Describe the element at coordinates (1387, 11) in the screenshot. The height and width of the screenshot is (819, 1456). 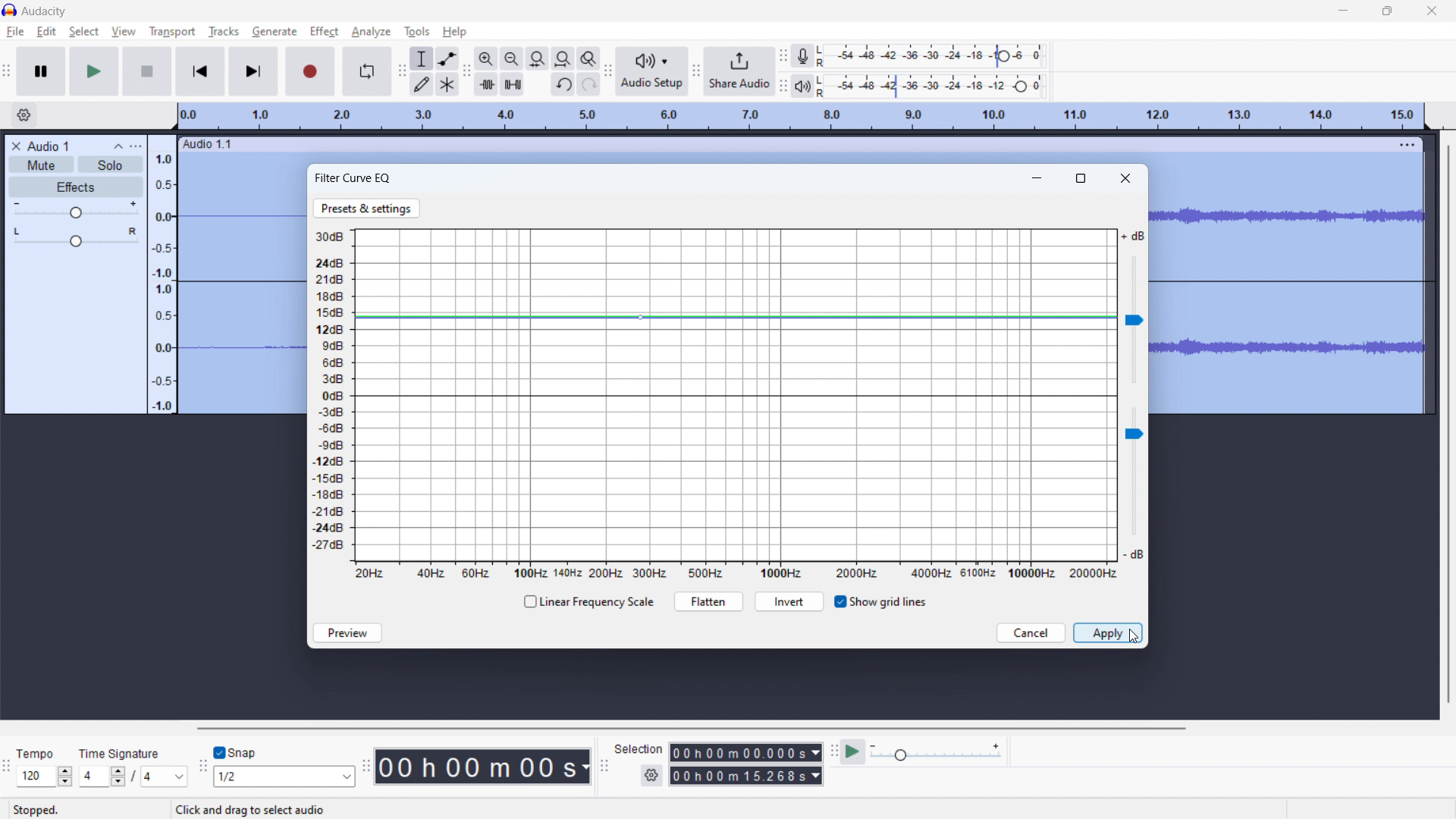
I see `maximize` at that location.